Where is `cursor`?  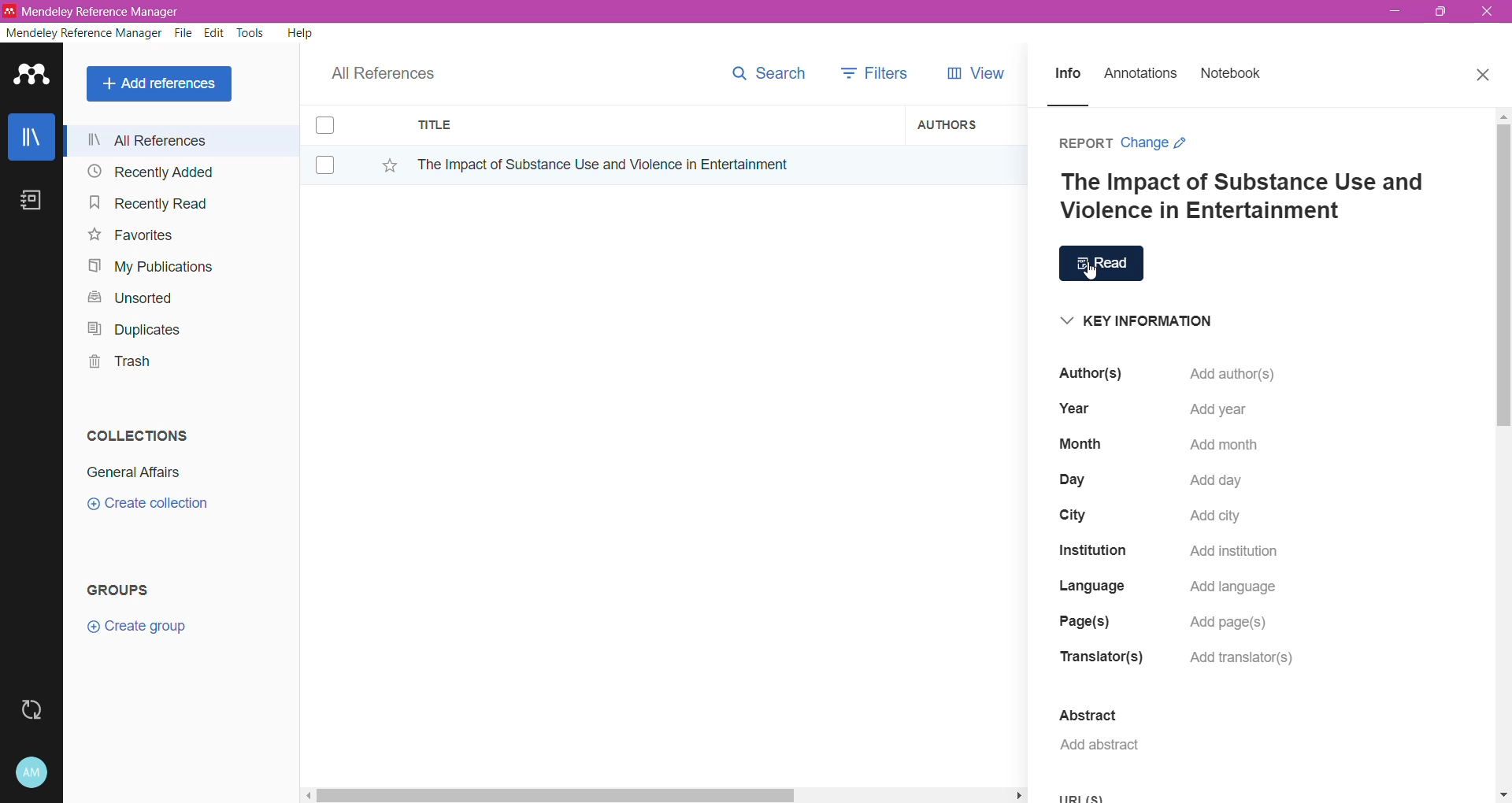 cursor is located at coordinates (1090, 274).